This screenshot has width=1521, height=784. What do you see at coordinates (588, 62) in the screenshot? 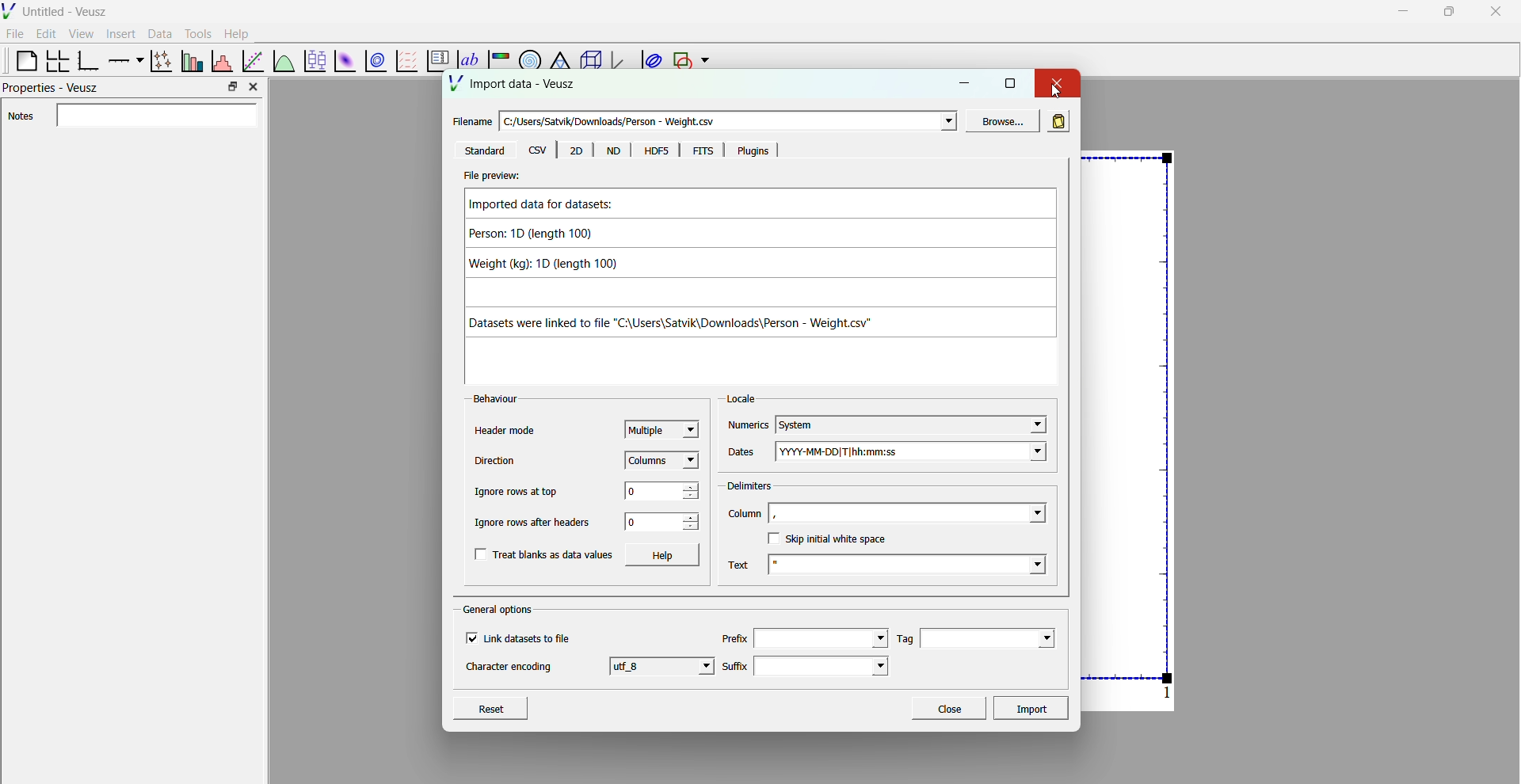
I see `3d scene` at bounding box center [588, 62].